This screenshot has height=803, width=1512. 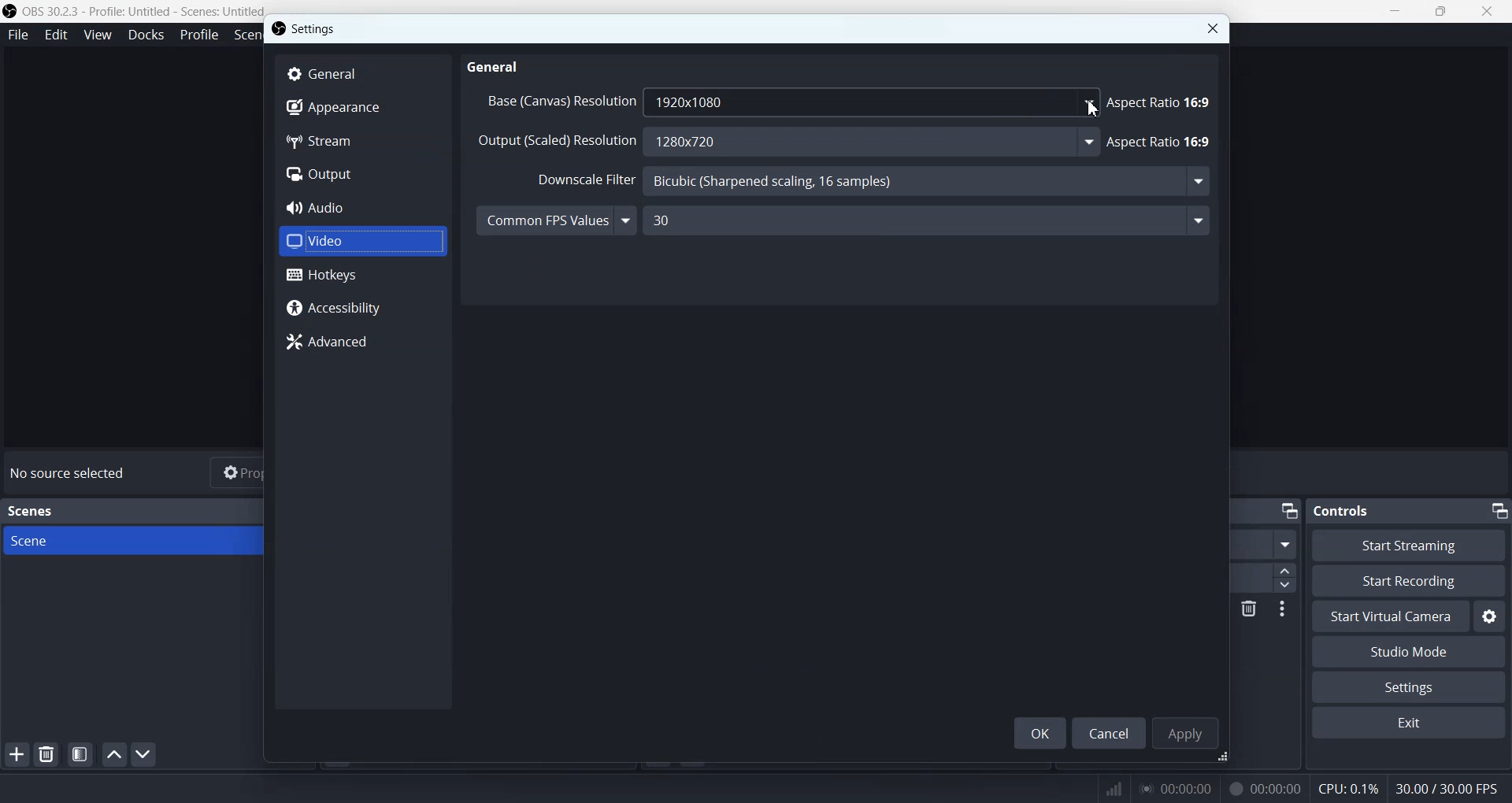 What do you see at coordinates (363, 276) in the screenshot?
I see `Hotkeys` at bounding box center [363, 276].